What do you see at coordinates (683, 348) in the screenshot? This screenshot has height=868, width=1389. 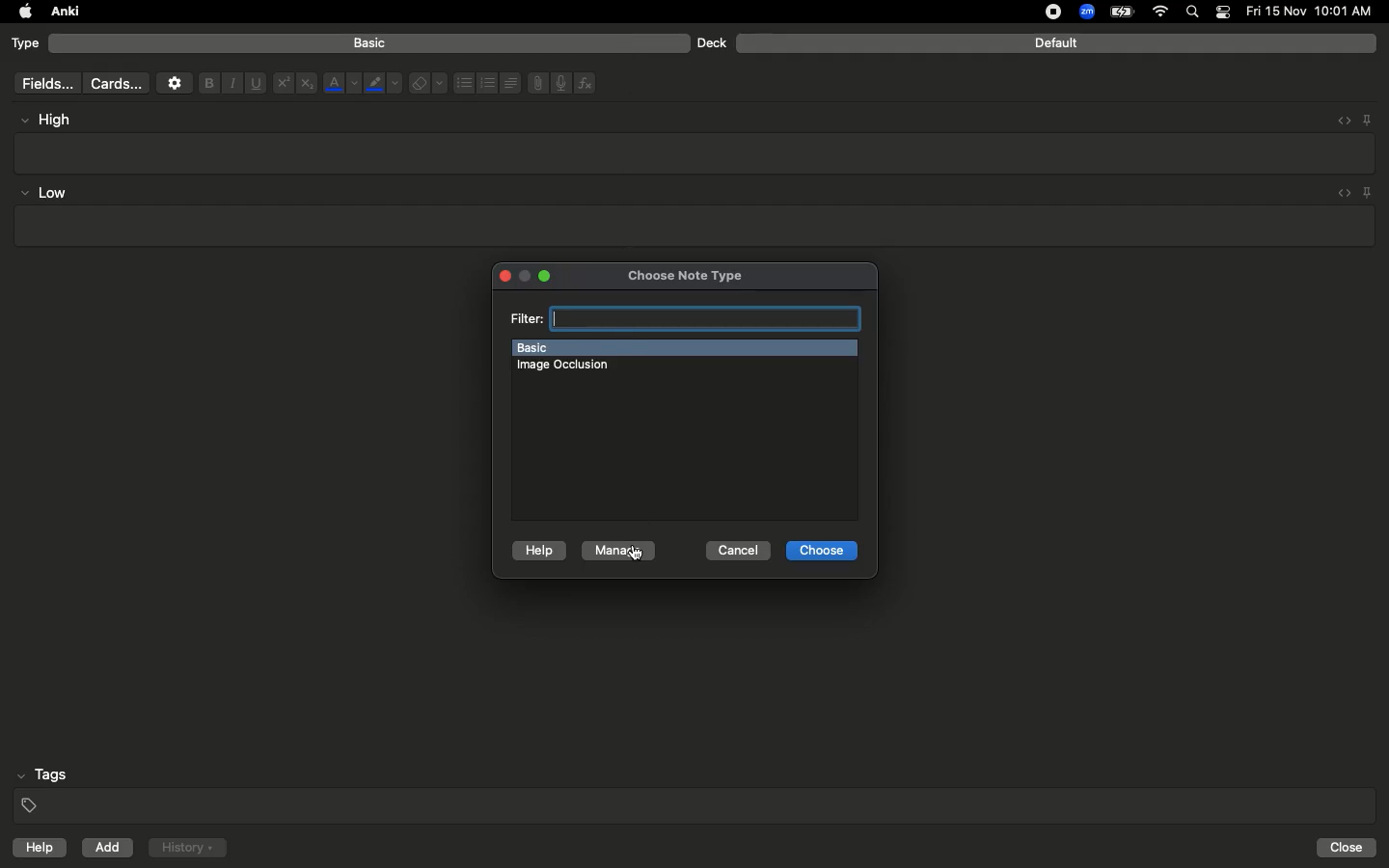 I see `Basic` at bounding box center [683, 348].